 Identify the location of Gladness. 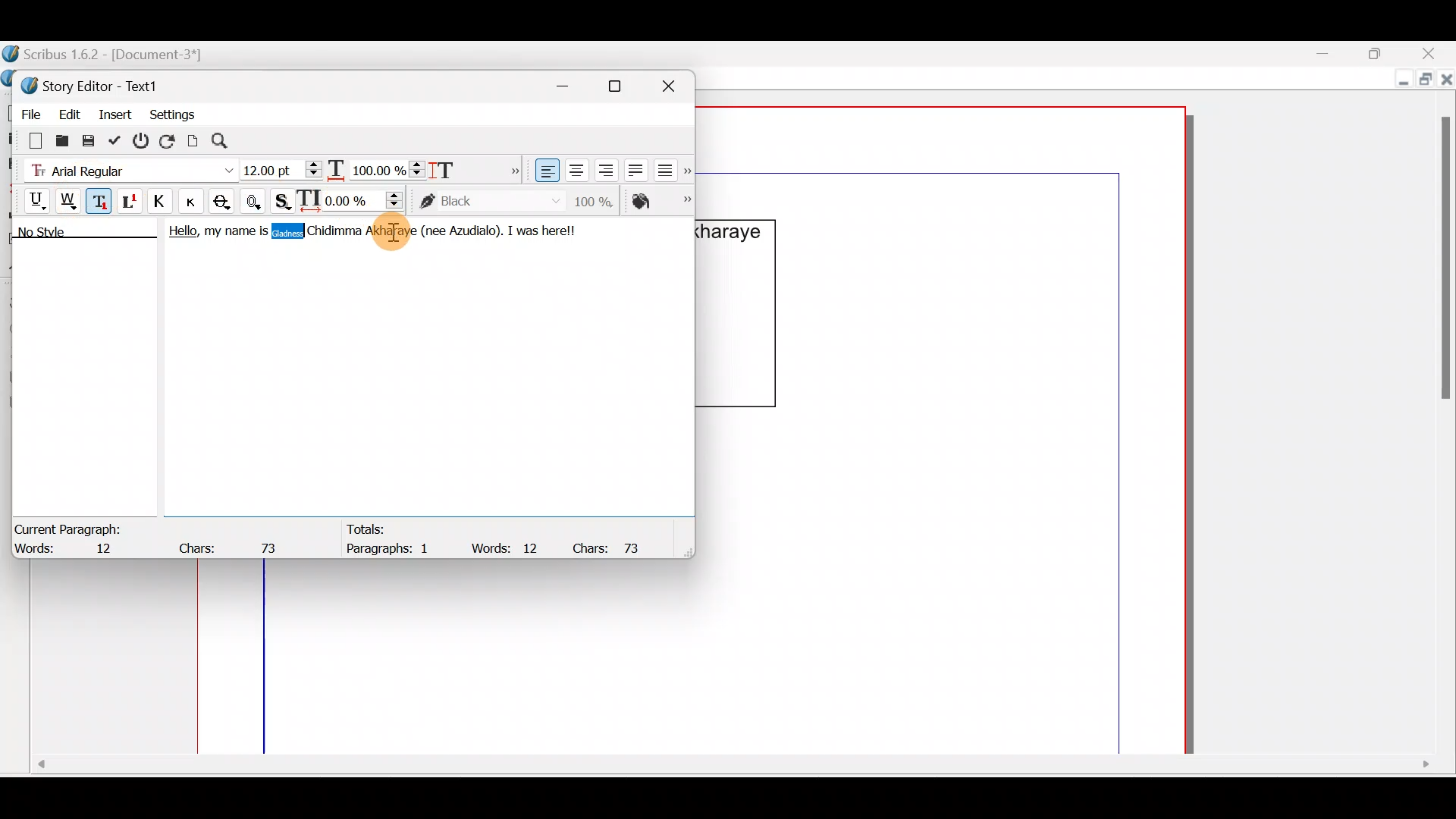
(287, 230).